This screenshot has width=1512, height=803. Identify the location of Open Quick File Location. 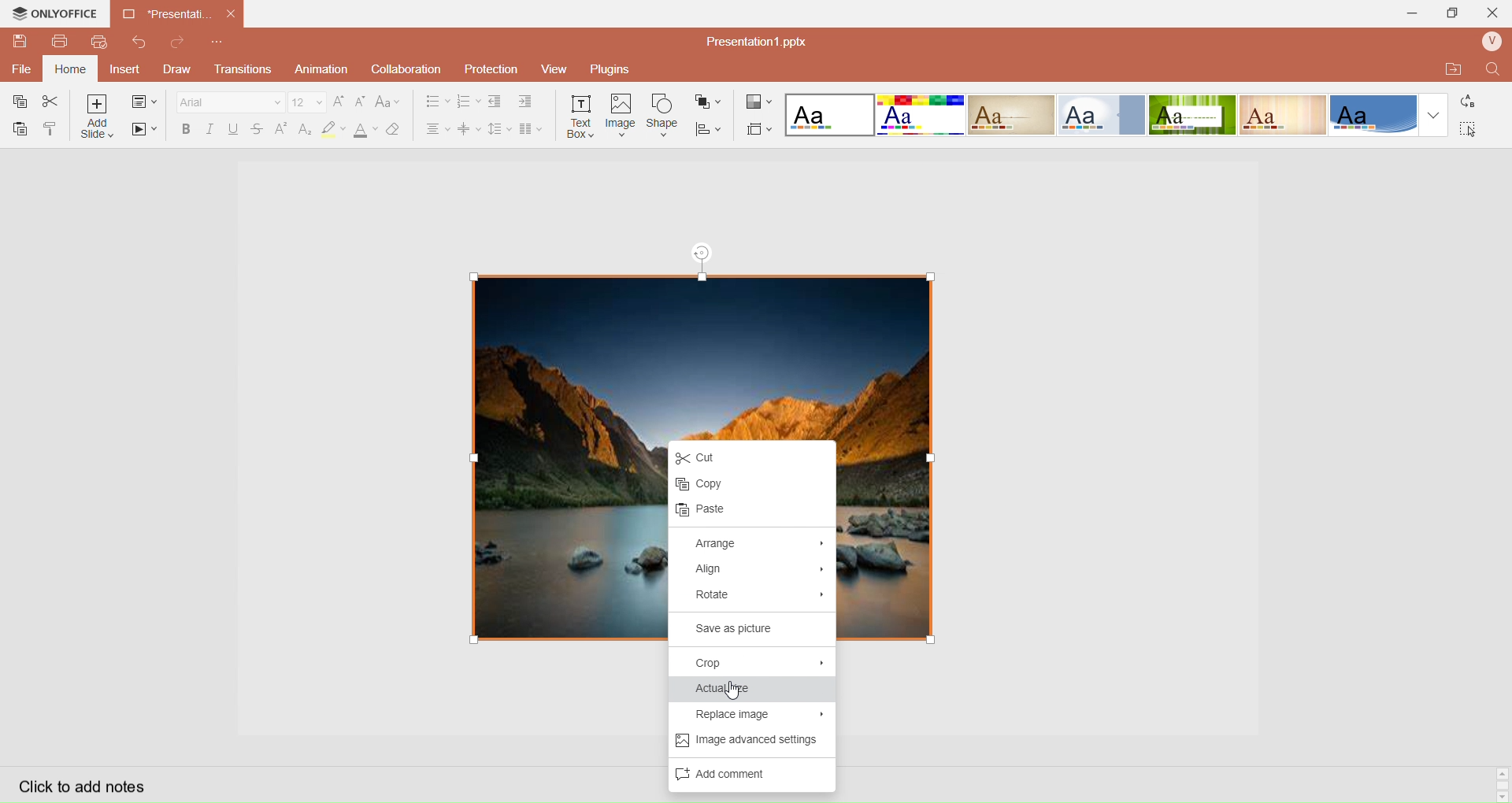
(1454, 69).